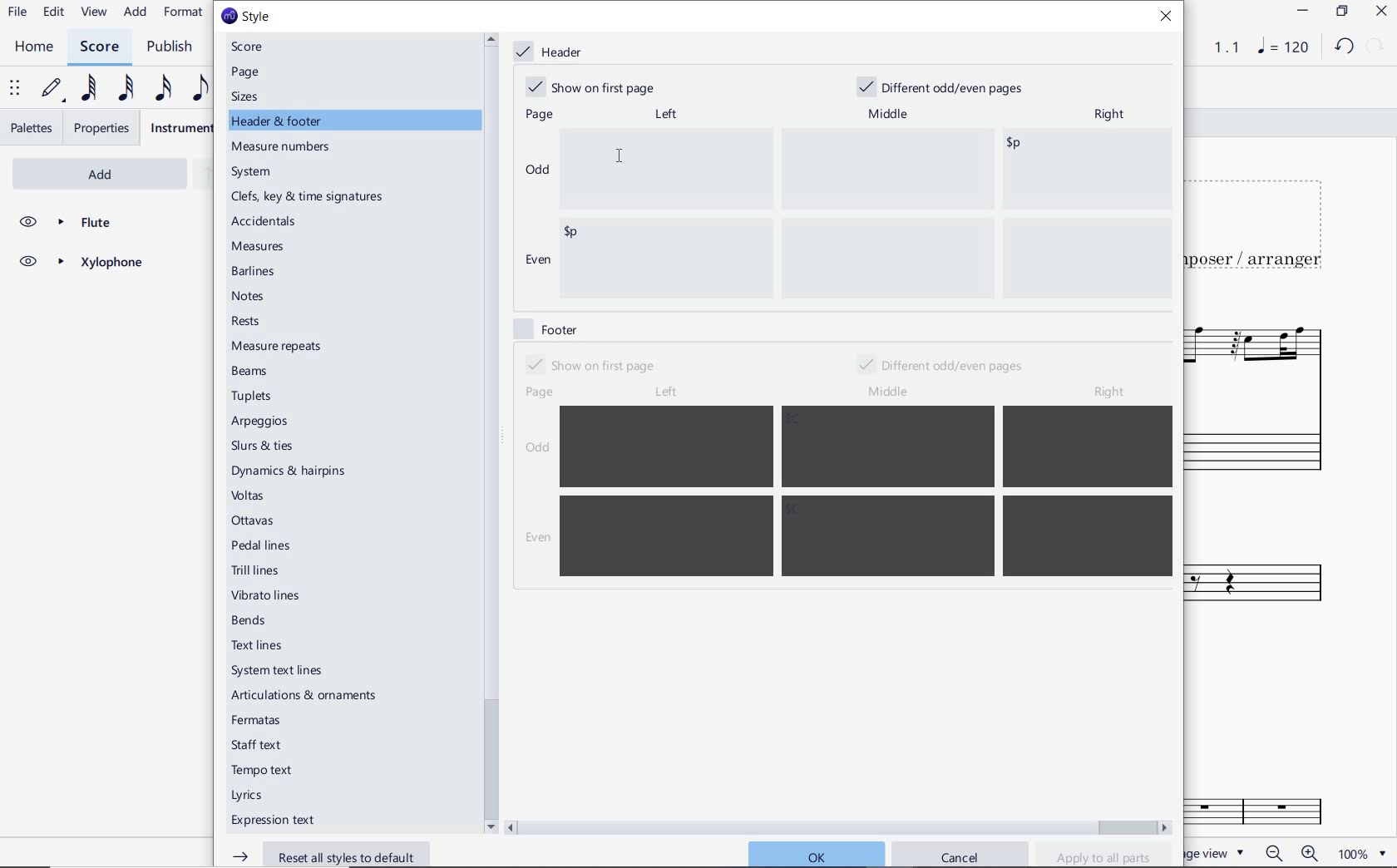 The image size is (1397, 868). Describe the element at coordinates (536, 262) in the screenshot. I see `even` at that location.